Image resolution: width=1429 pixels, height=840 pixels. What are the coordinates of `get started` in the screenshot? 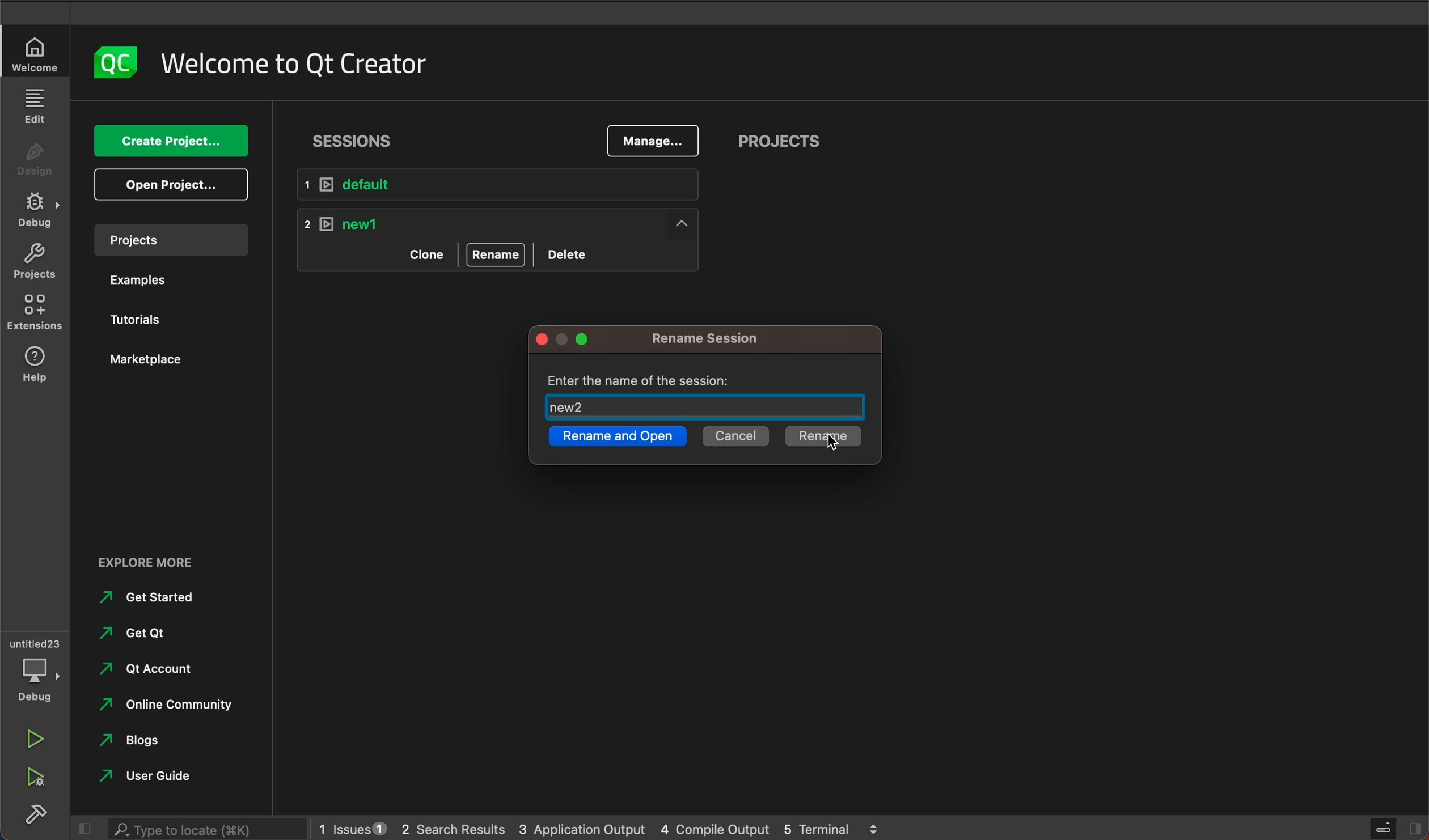 It's located at (151, 597).